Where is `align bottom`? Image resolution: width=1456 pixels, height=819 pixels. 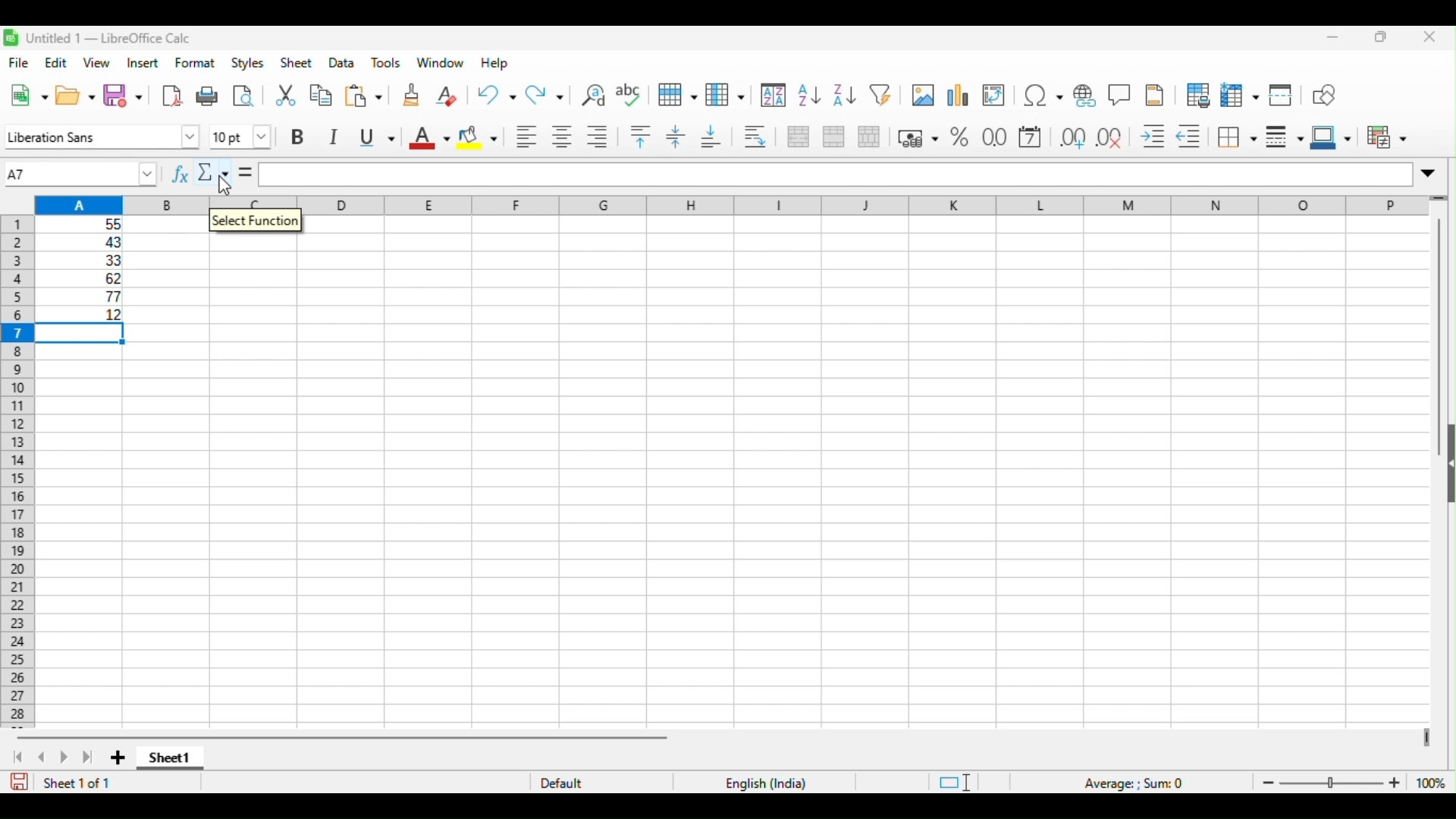
align bottom is located at coordinates (711, 136).